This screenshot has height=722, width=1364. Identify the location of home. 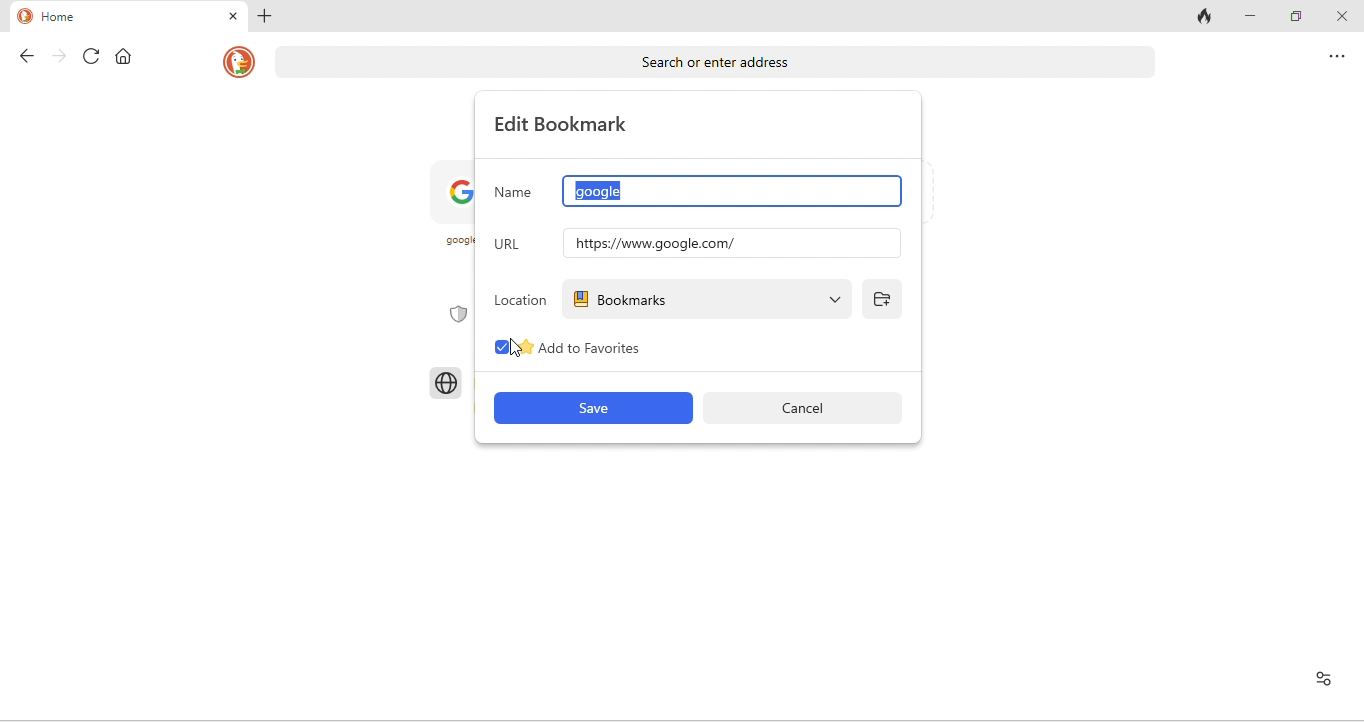
(122, 56).